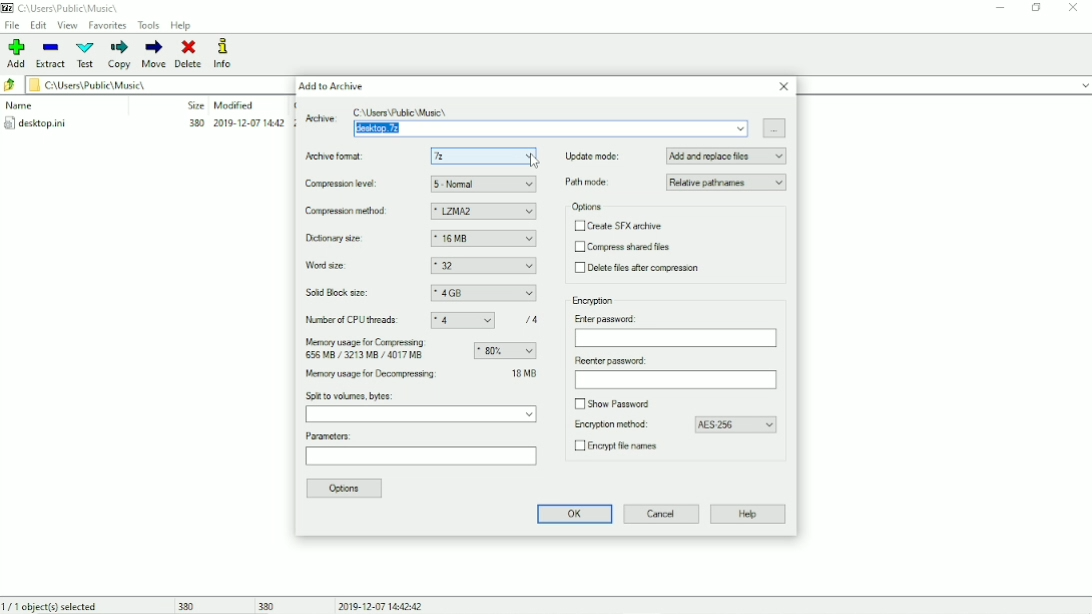  Describe the element at coordinates (86, 55) in the screenshot. I see `Test` at that location.